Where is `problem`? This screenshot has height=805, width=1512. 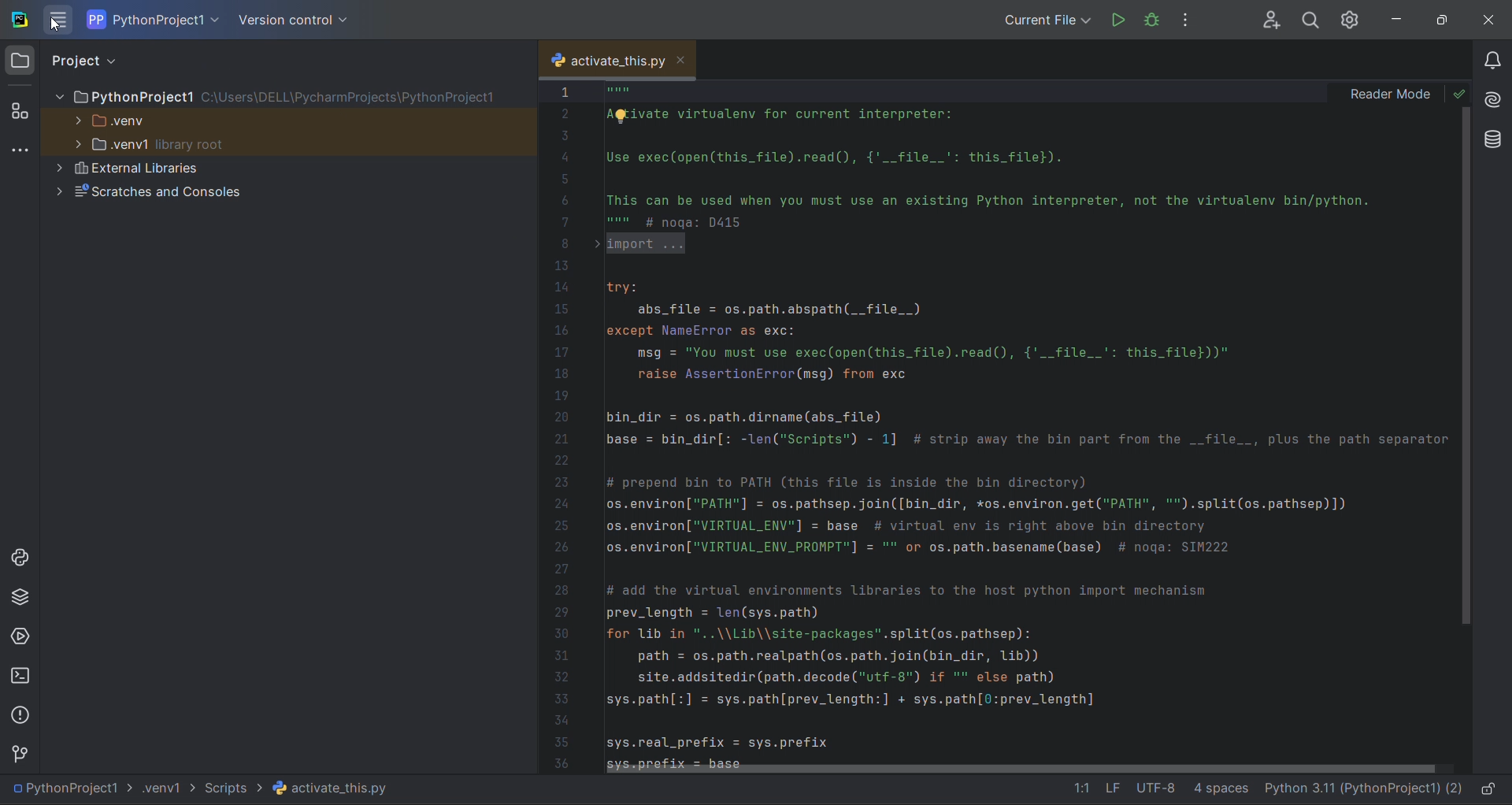 problem is located at coordinates (19, 717).